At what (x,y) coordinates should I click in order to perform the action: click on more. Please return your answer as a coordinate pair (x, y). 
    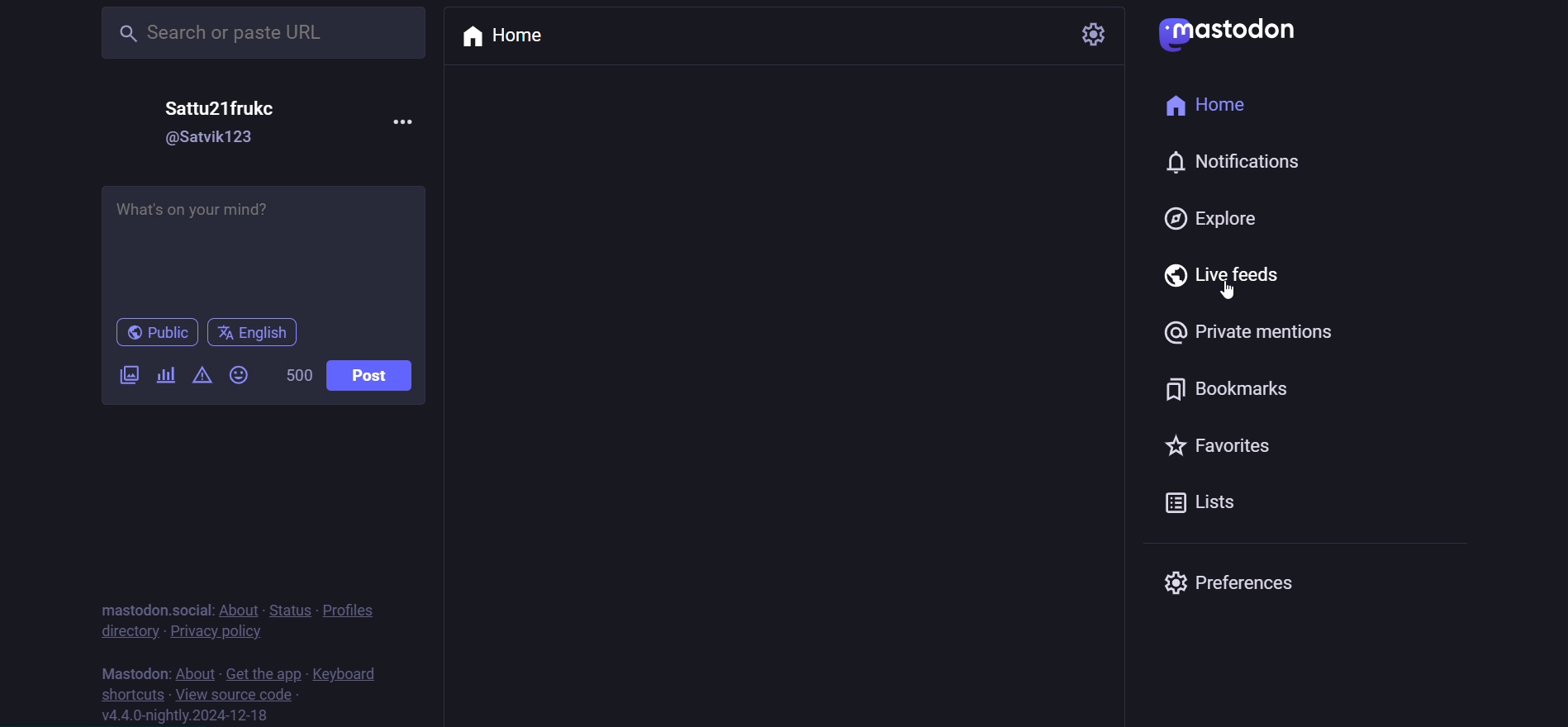
    Looking at the image, I should click on (406, 128).